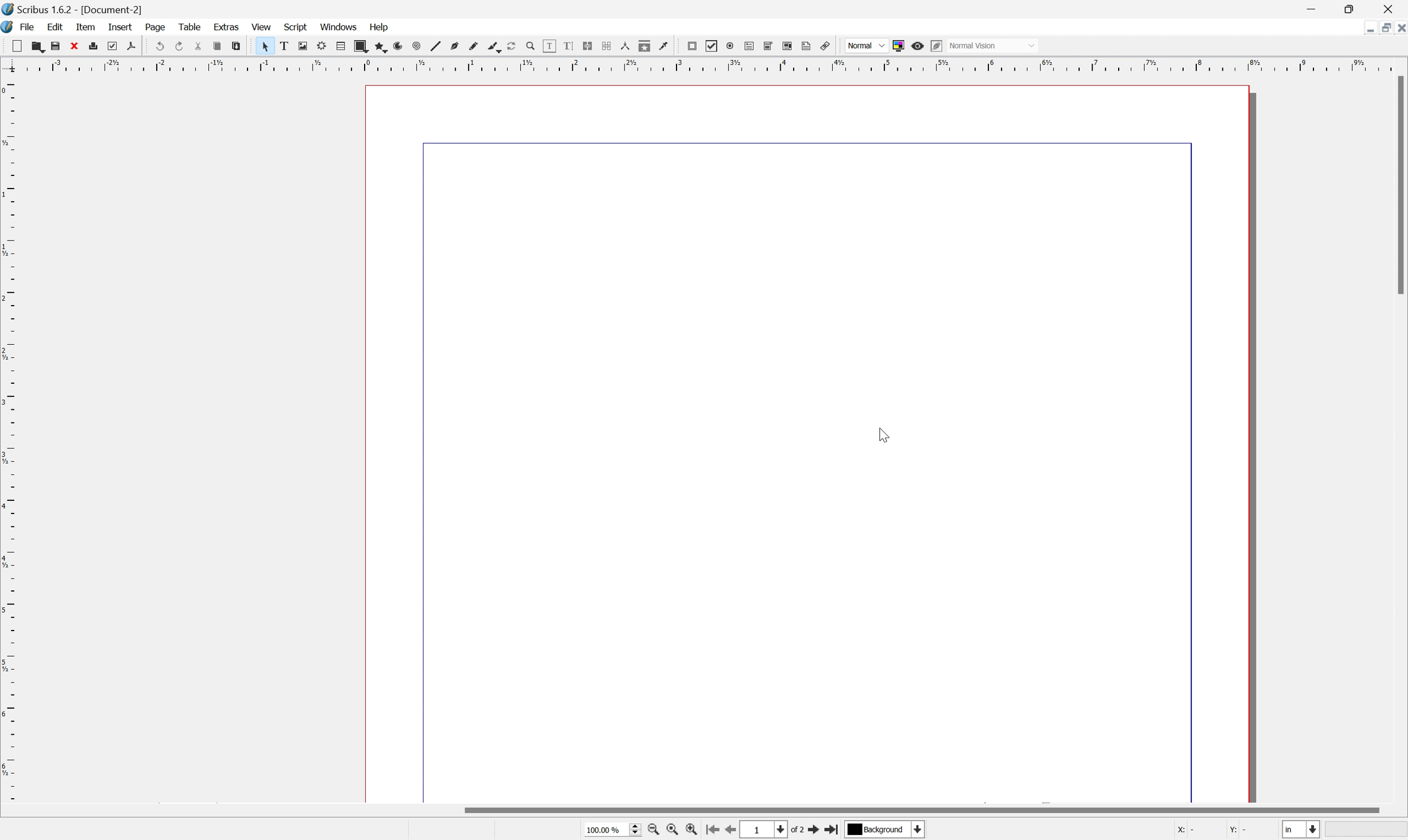 The height and width of the screenshot is (840, 1408). What do you see at coordinates (691, 46) in the screenshot?
I see `PDF push button` at bounding box center [691, 46].